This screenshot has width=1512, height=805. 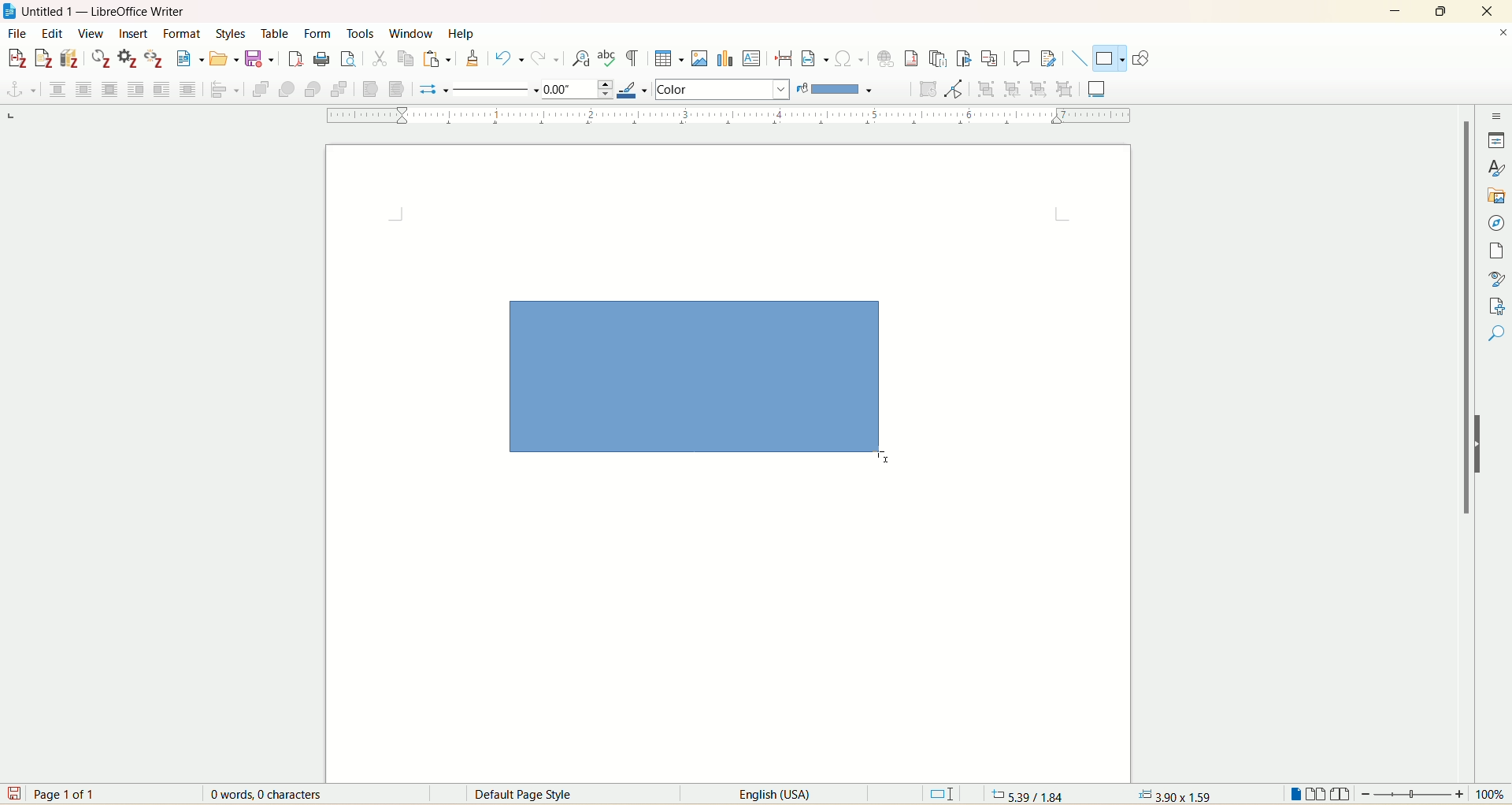 What do you see at coordinates (1503, 33) in the screenshot?
I see `close document` at bounding box center [1503, 33].